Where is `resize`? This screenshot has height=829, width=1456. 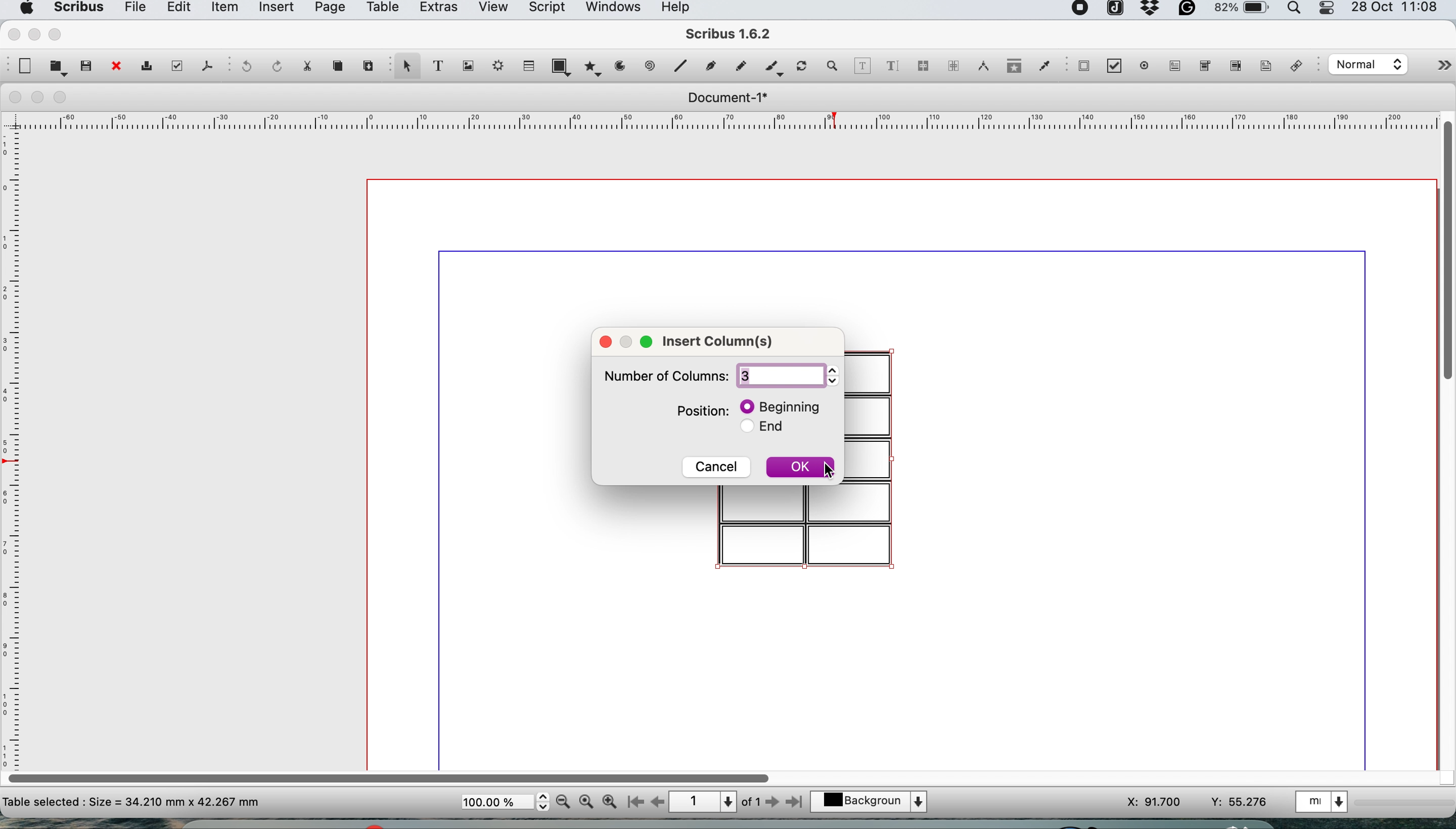 resize is located at coordinates (629, 342).